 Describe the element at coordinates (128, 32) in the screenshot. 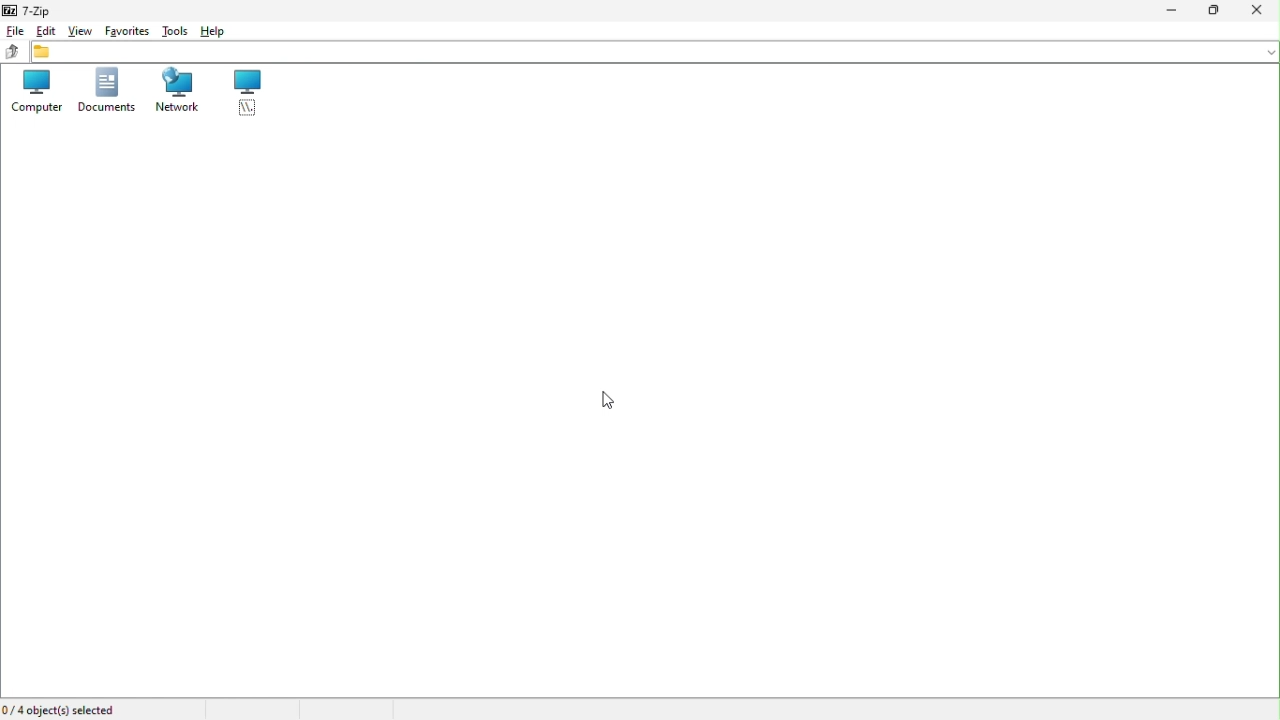

I see `Favourite` at that location.